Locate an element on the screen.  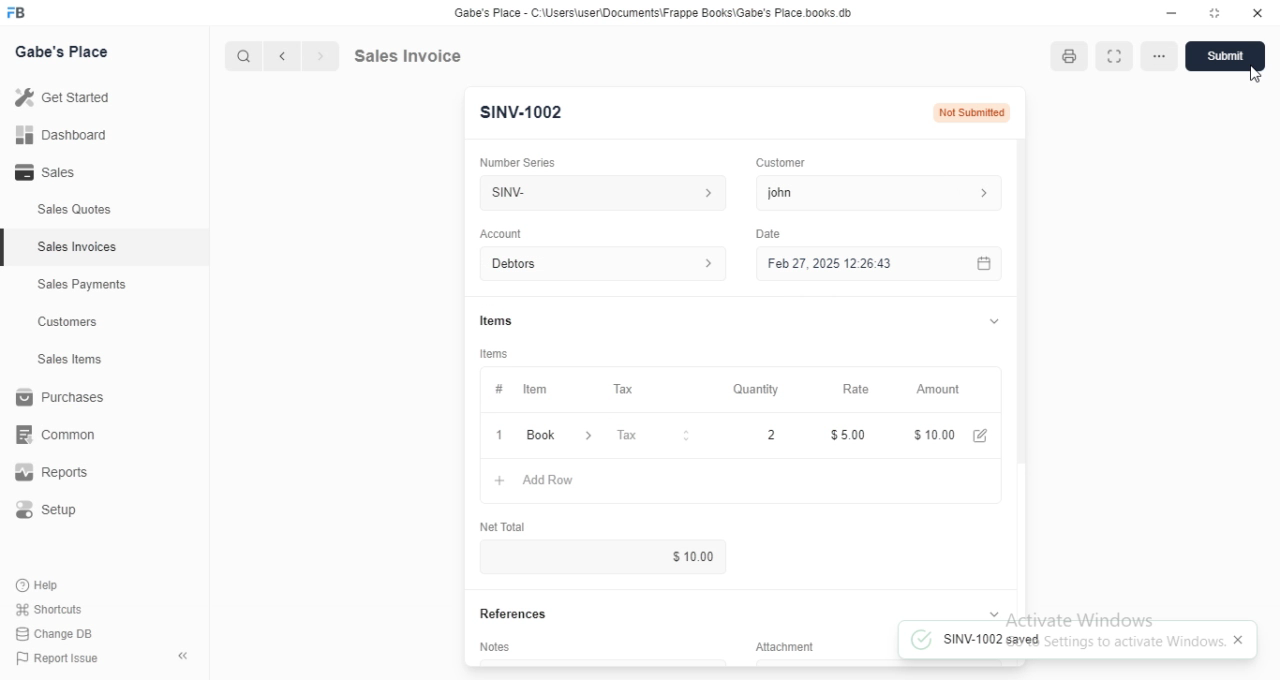
submit is located at coordinates (1233, 56).